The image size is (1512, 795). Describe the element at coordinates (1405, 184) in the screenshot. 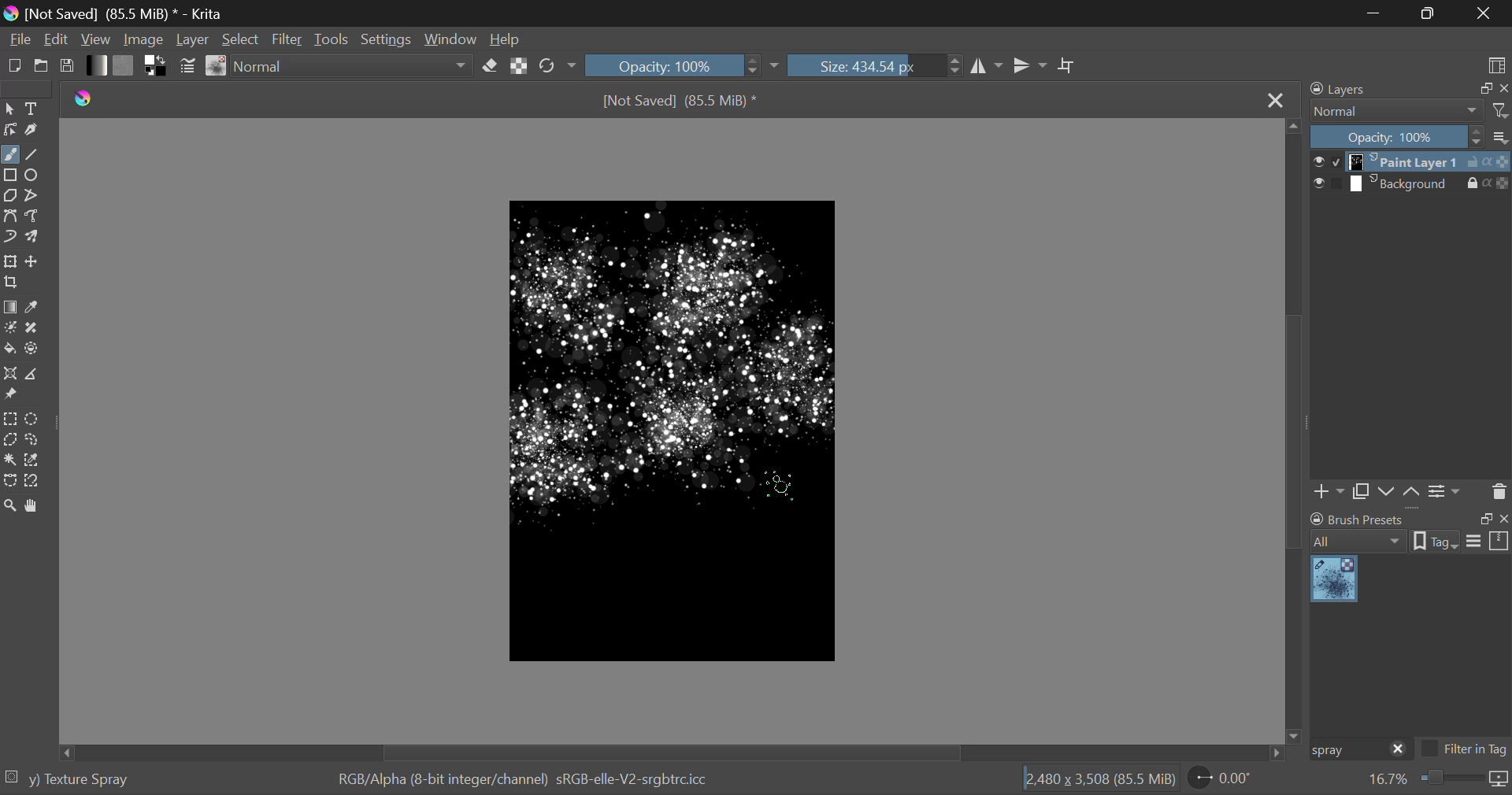

I see `layer 2` at that location.